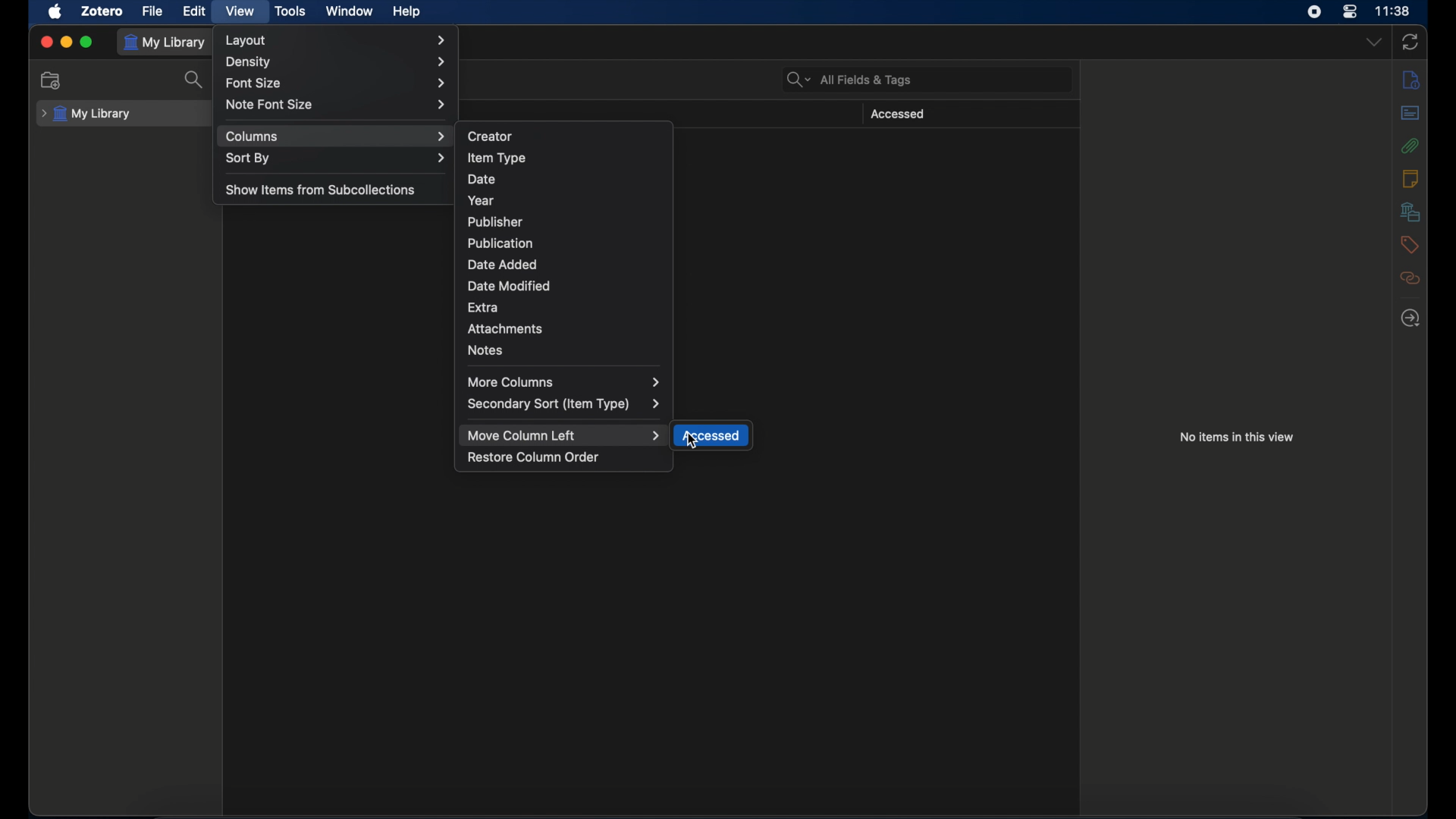 This screenshot has height=819, width=1456. What do you see at coordinates (194, 79) in the screenshot?
I see `search` at bounding box center [194, 79].